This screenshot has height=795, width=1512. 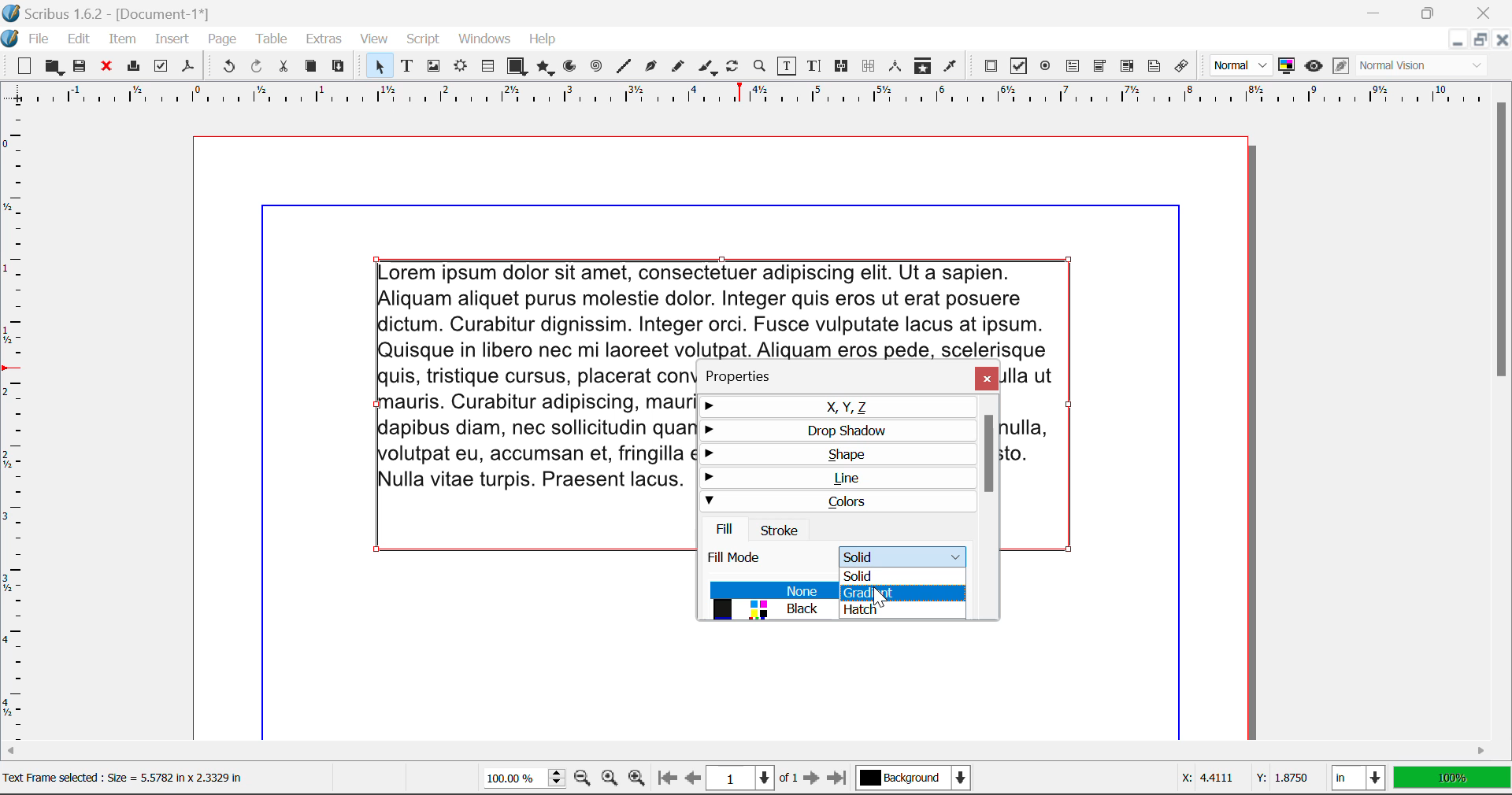 I want to click on Fill Mode, so click(x=836, y=553).